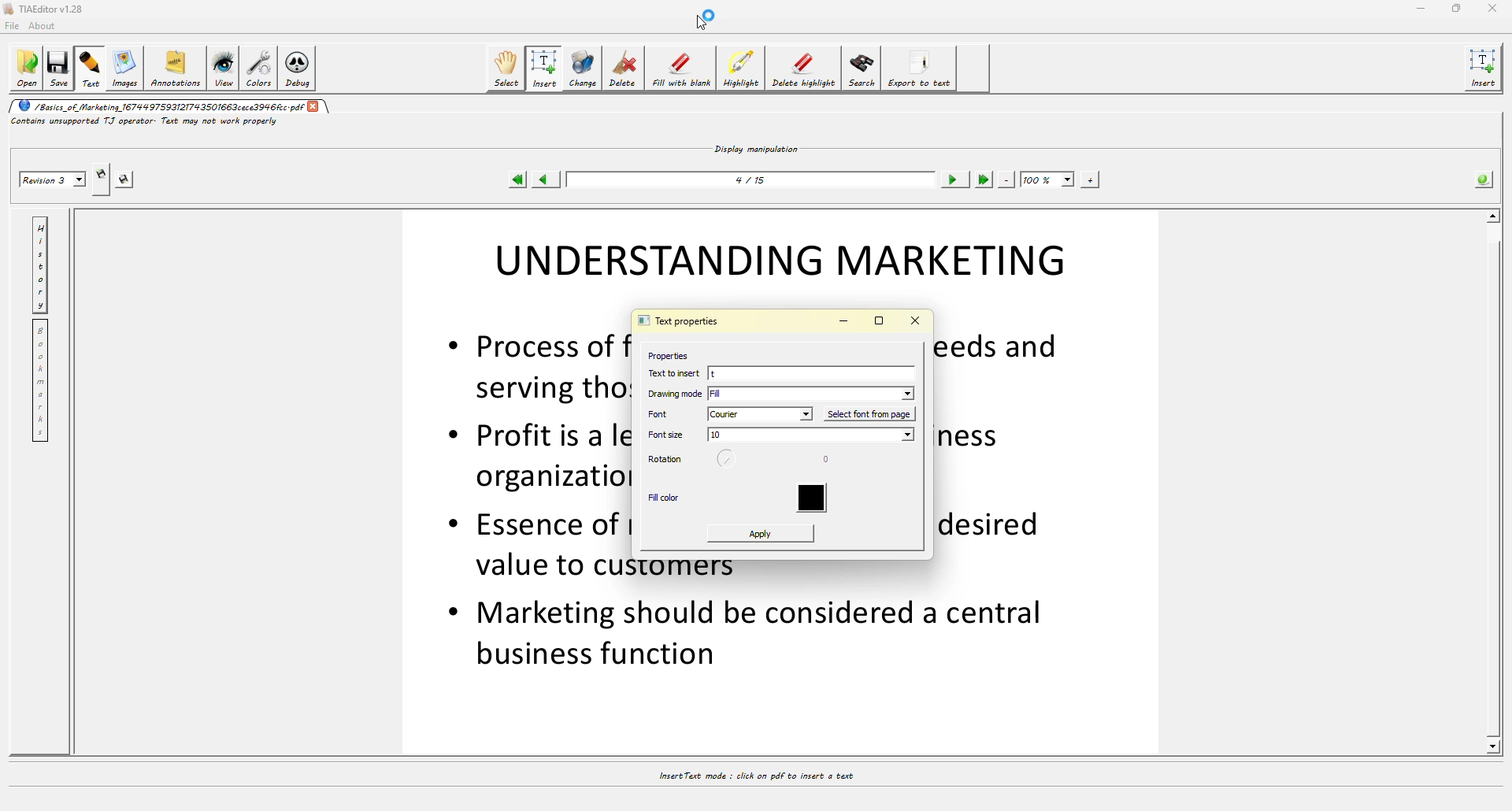 This screenshot has height=811, width=1512. I want to click on degree, so click(832, 461).